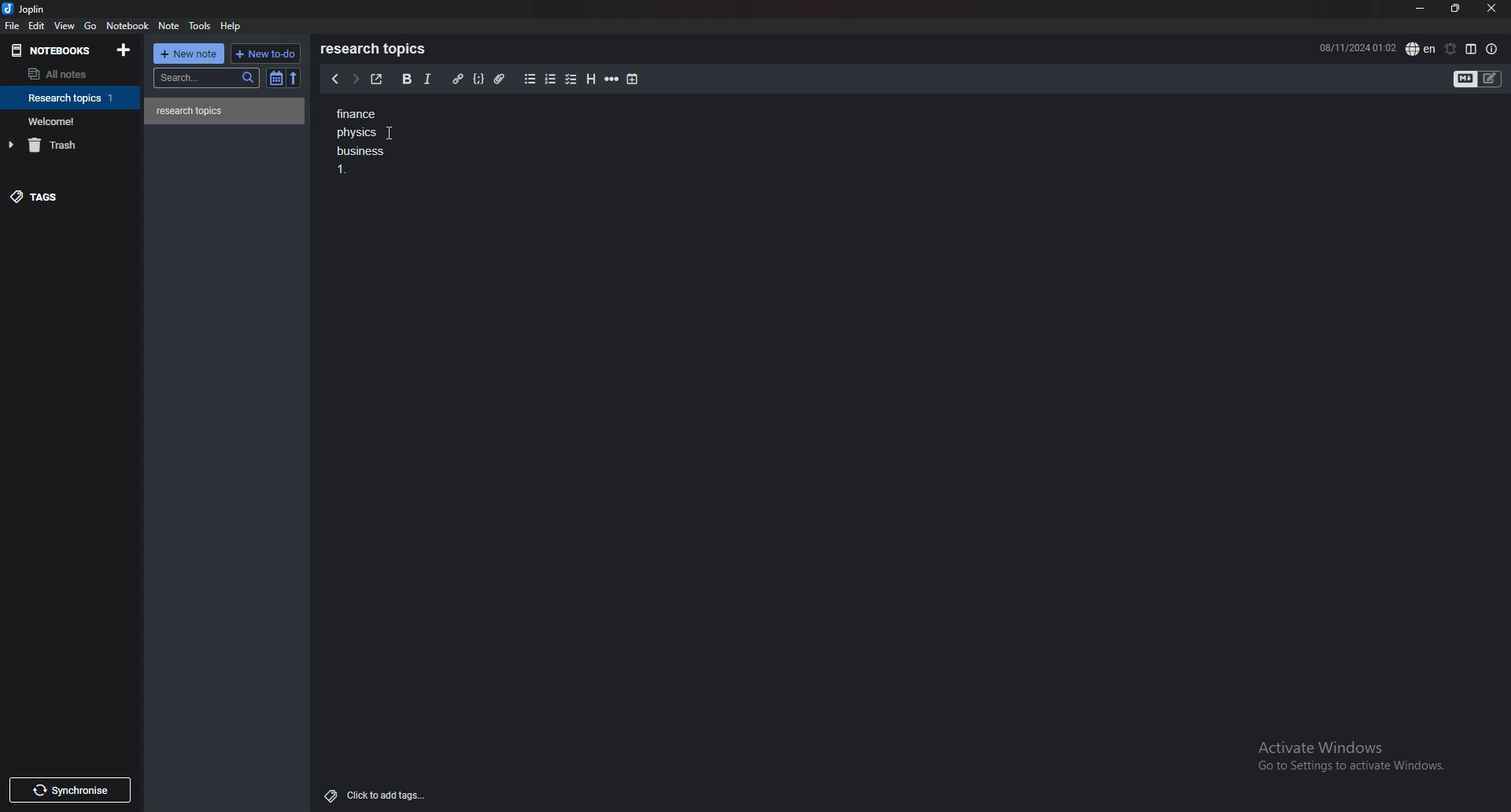  What do you see at coordinates (375, 79) in the screenshot?
I see `toggle external editor` at bounding box center [375, 79].